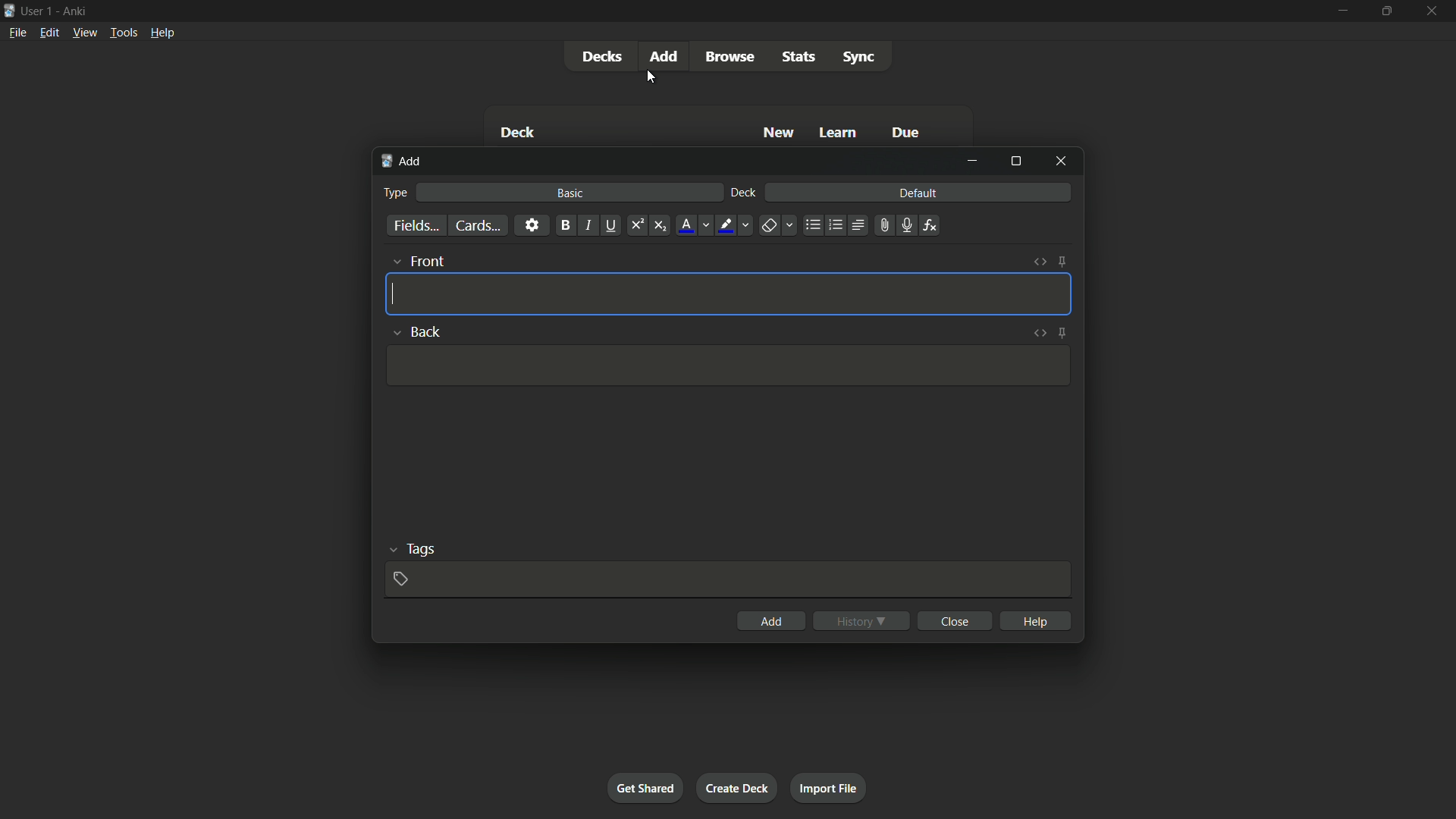  What do you see at coordinates (426, 261) in the screenshot?
I see `front` at bounding box center [426, 261].